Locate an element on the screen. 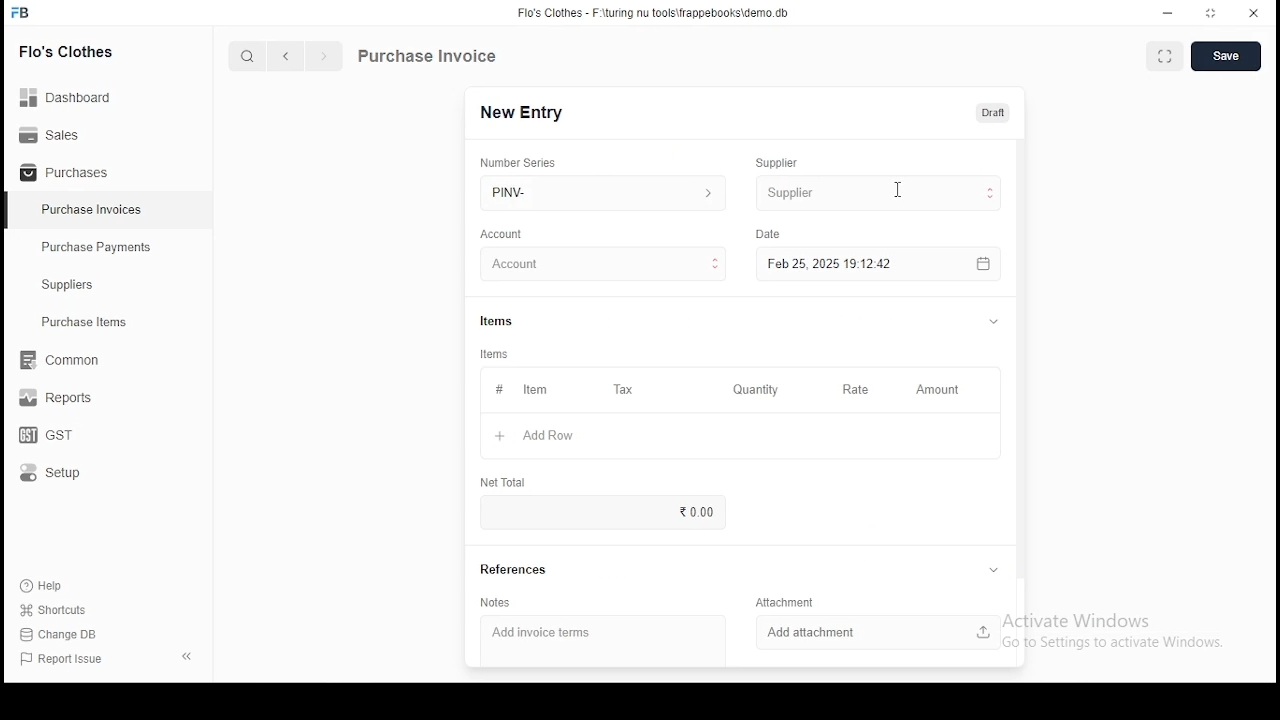  Shortcuts is located at coordinates (61, 610).